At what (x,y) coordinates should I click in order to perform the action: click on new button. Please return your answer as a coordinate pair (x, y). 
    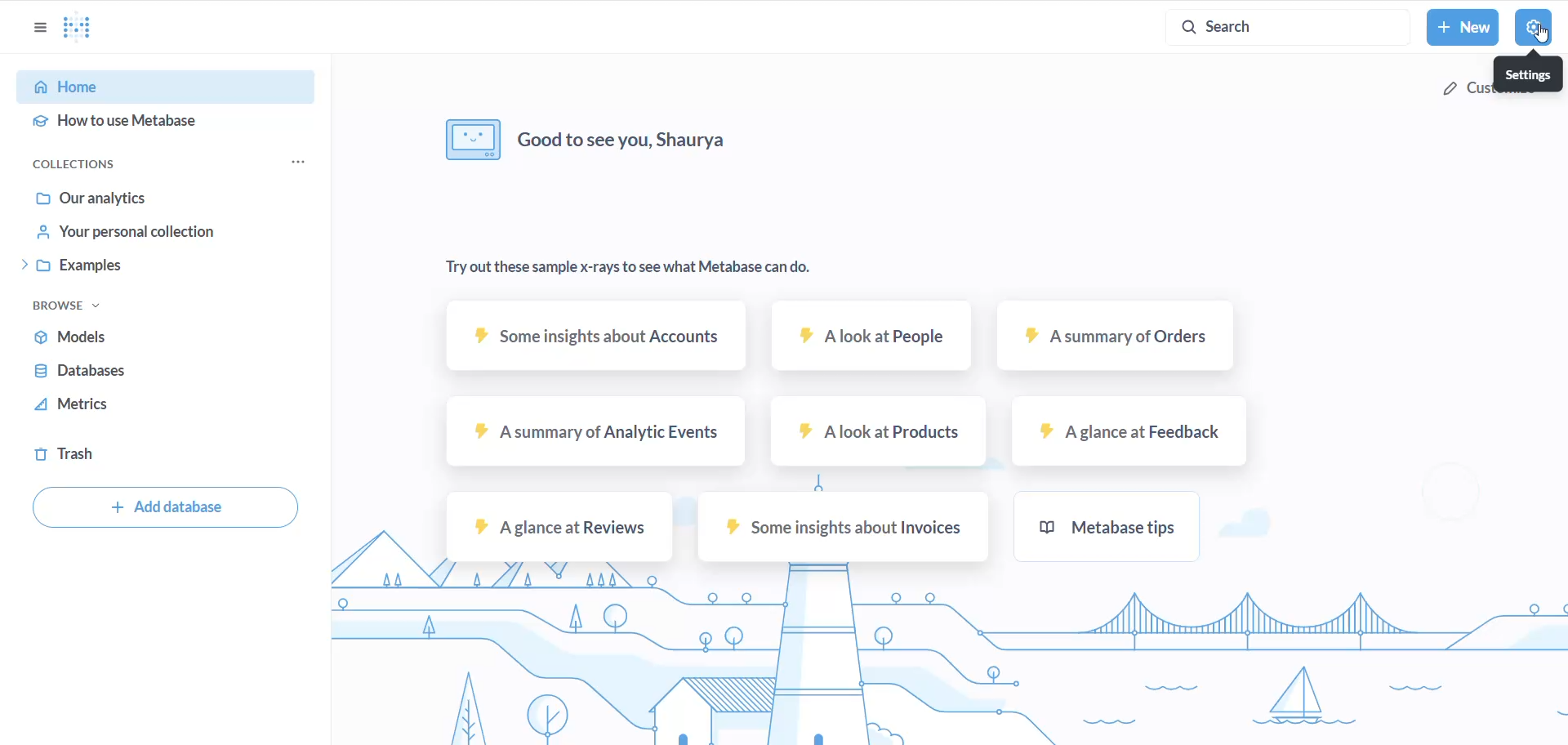
    Looking at the image, I should click on (1463, 29).